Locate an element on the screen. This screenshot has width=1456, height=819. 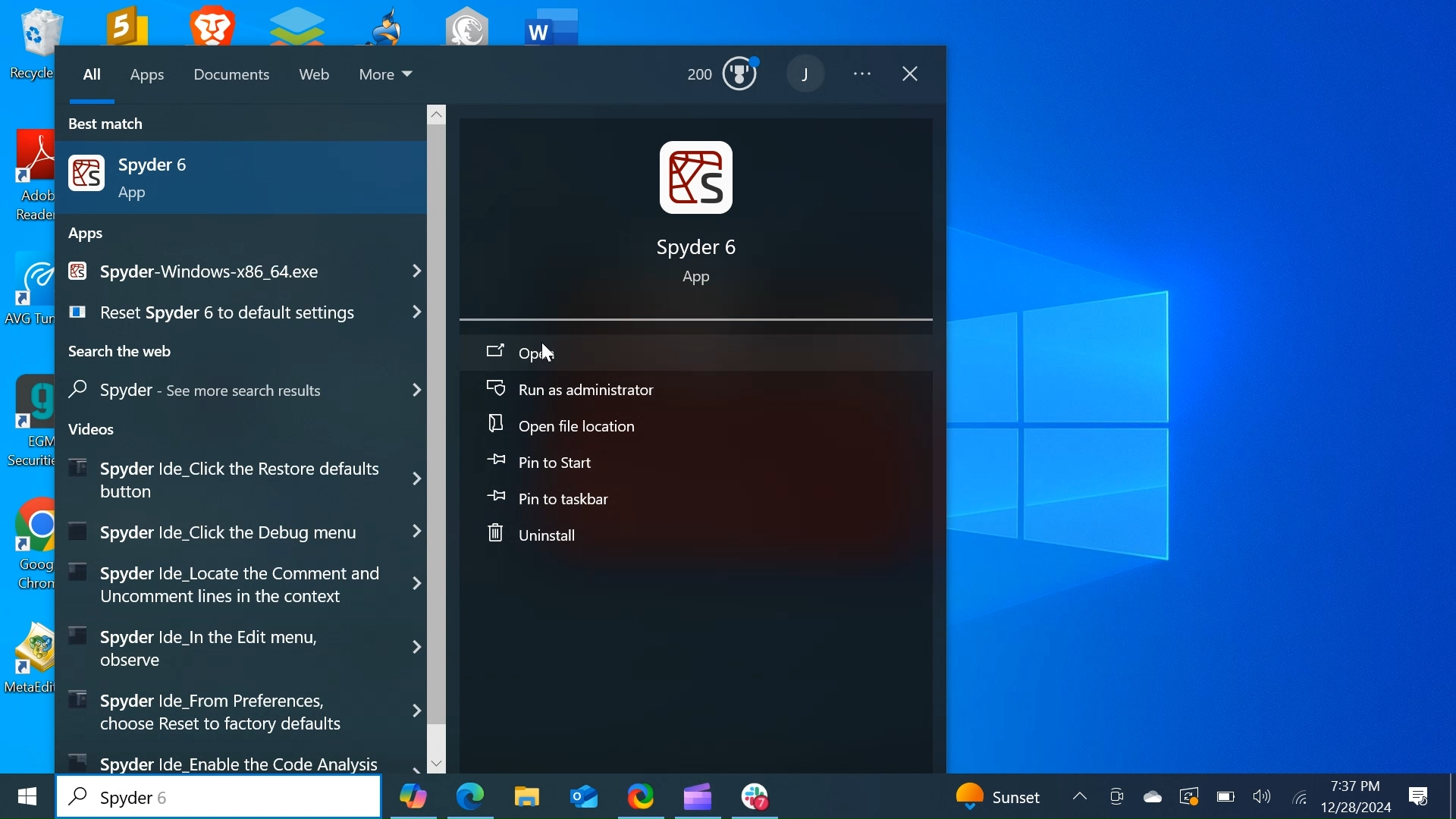
Spyder Desktop Icon is located at coordinates (703, 218).